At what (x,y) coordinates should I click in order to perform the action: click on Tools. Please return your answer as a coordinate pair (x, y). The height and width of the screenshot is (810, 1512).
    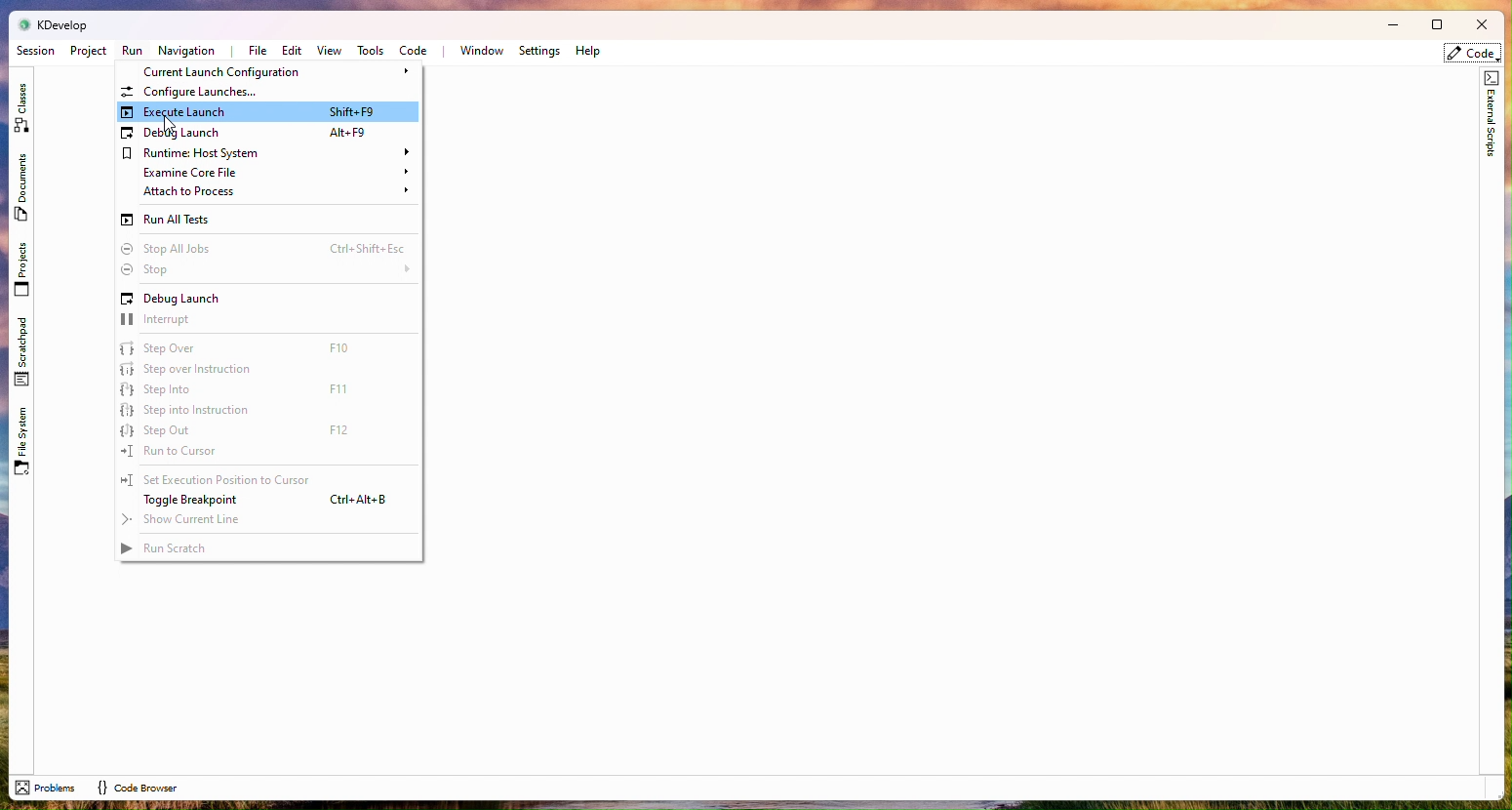
    Looking at the image, I should click on (371, 51).